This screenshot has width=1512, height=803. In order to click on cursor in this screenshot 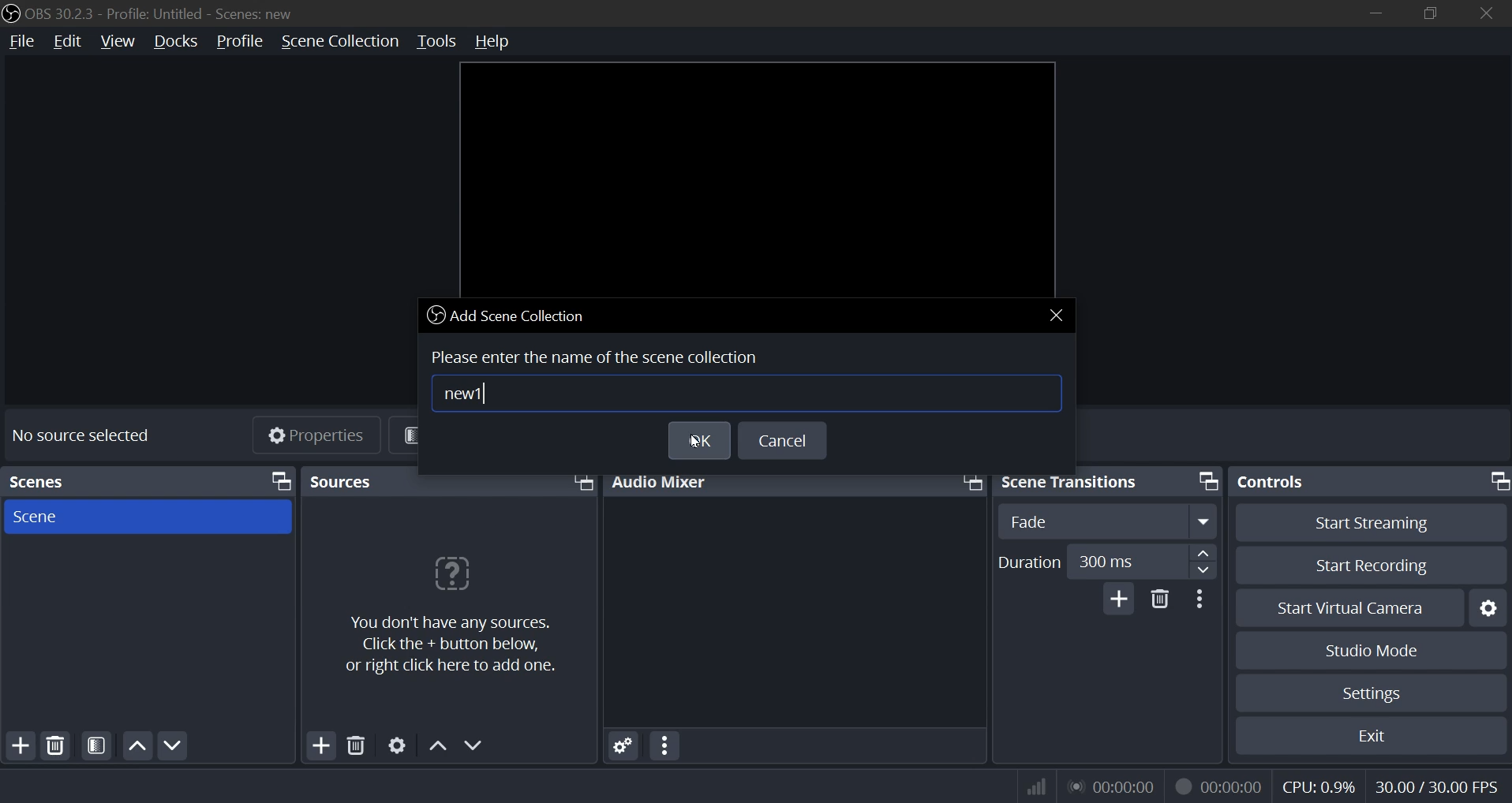, I will do `click(694, 442)`.